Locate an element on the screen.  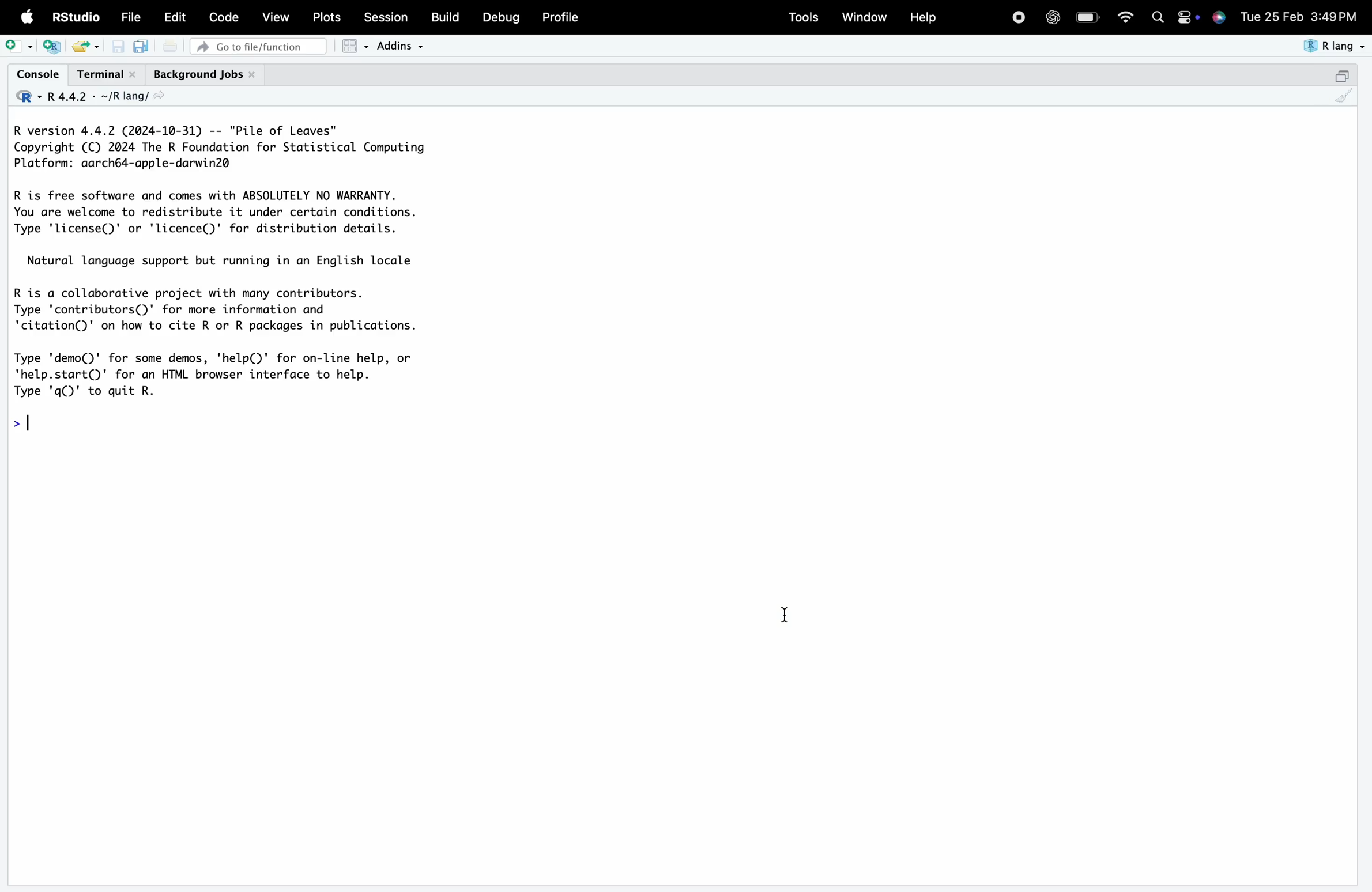
Workspace panes is located at coordinates (355, 46).